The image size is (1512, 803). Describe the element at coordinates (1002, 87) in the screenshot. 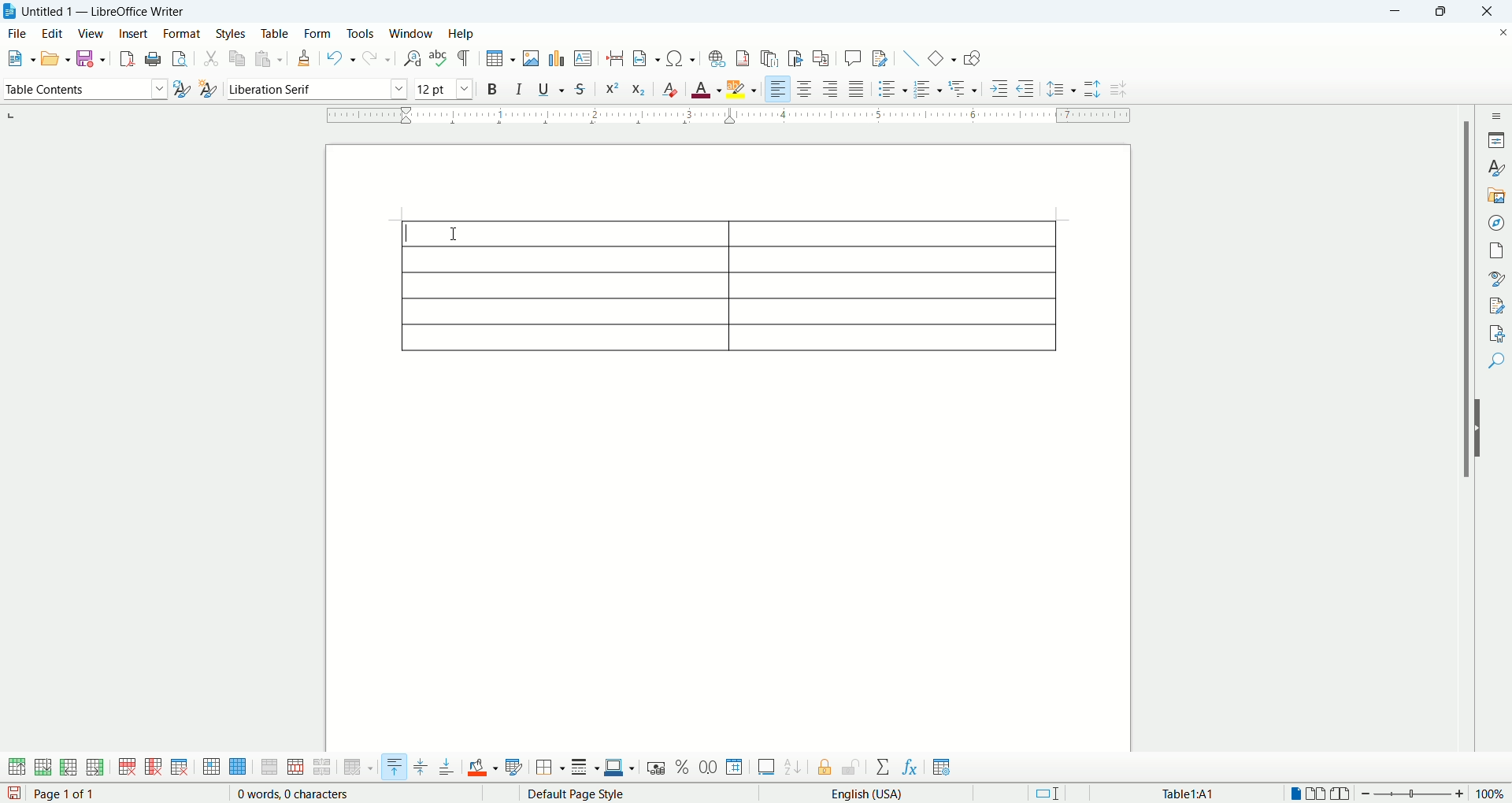

I see `increase indent` at that location.